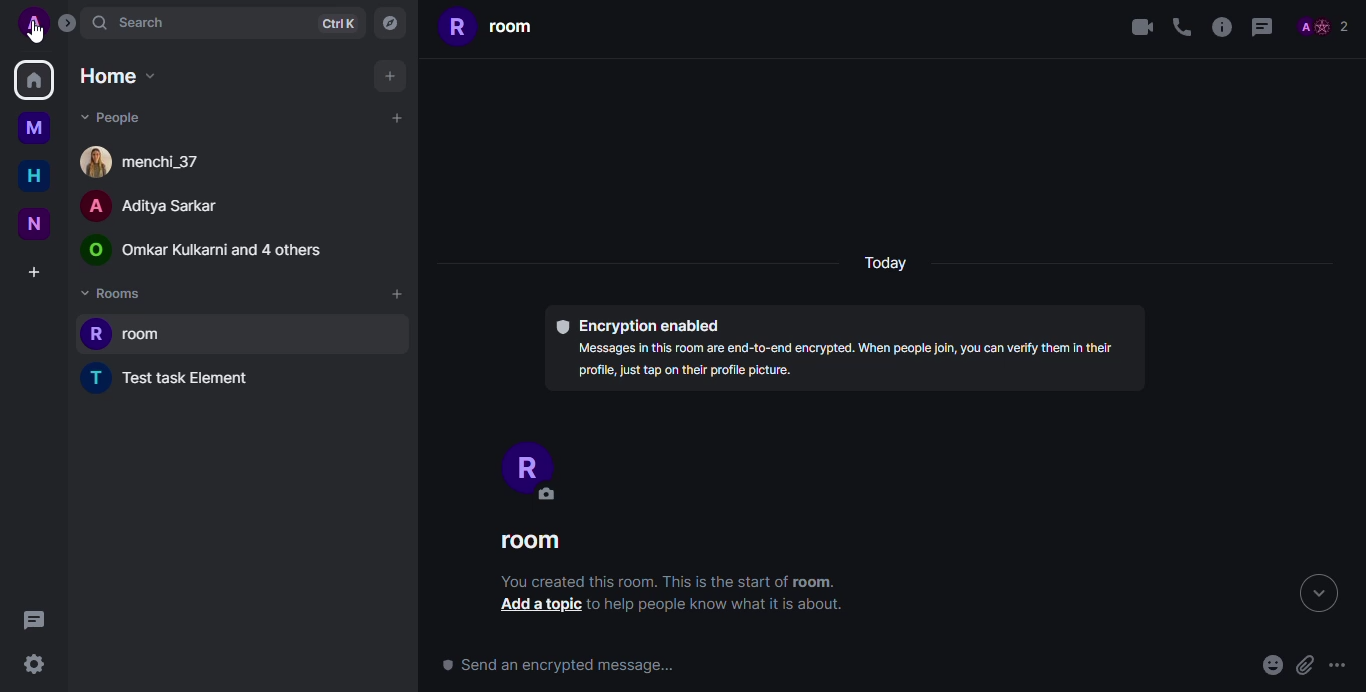 This screenshot has width=1366, height=692. What do you see at coordinates (154, 206) in the screenshot?
I see `people` at bounding box center [154, 206].